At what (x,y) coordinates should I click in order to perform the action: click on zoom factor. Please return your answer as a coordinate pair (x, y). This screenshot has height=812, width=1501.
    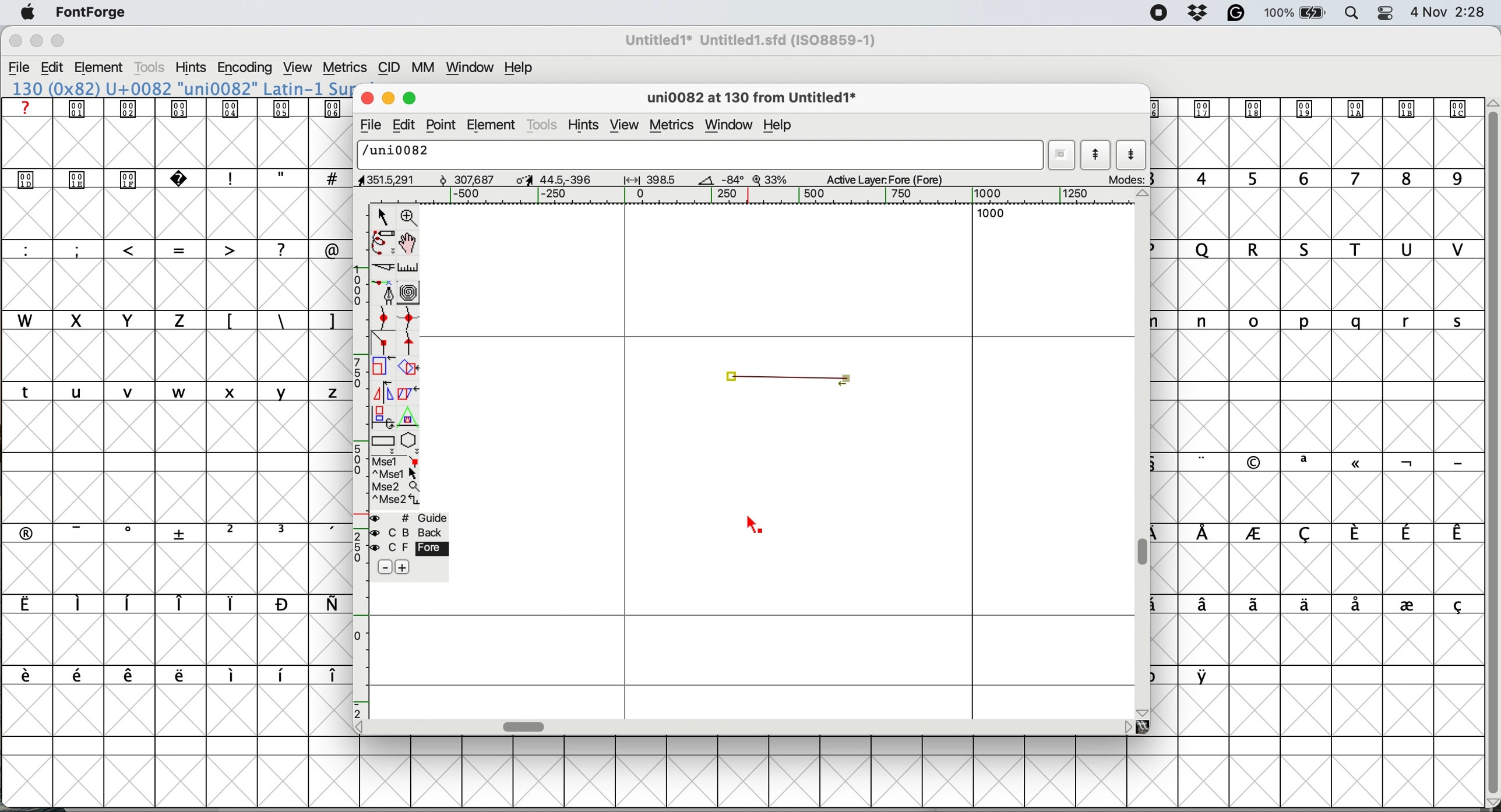
    Looking at the image, I should click on (770, 179).